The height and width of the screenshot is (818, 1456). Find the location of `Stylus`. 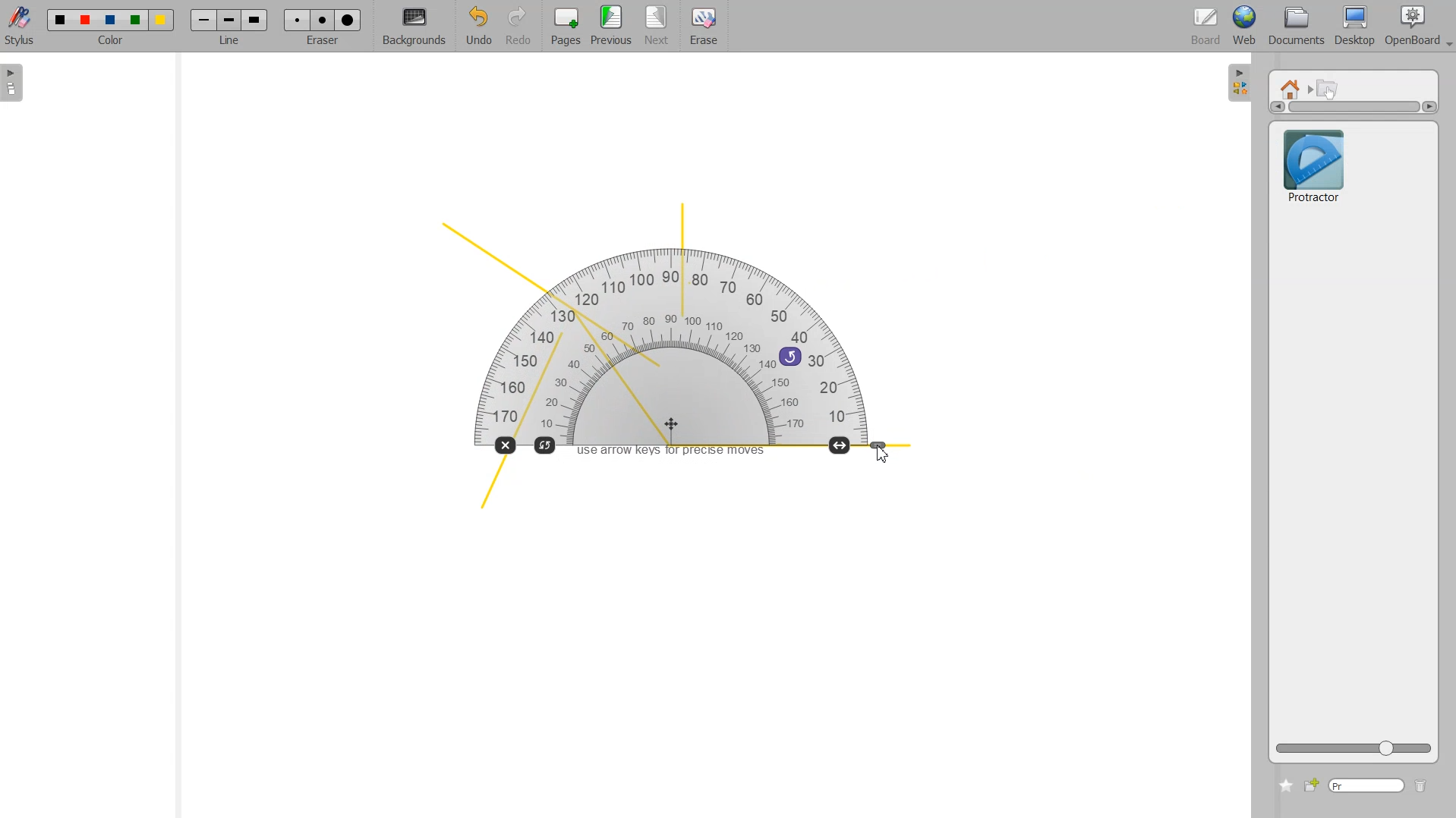

Stylus is located at coordinates (21, 25).